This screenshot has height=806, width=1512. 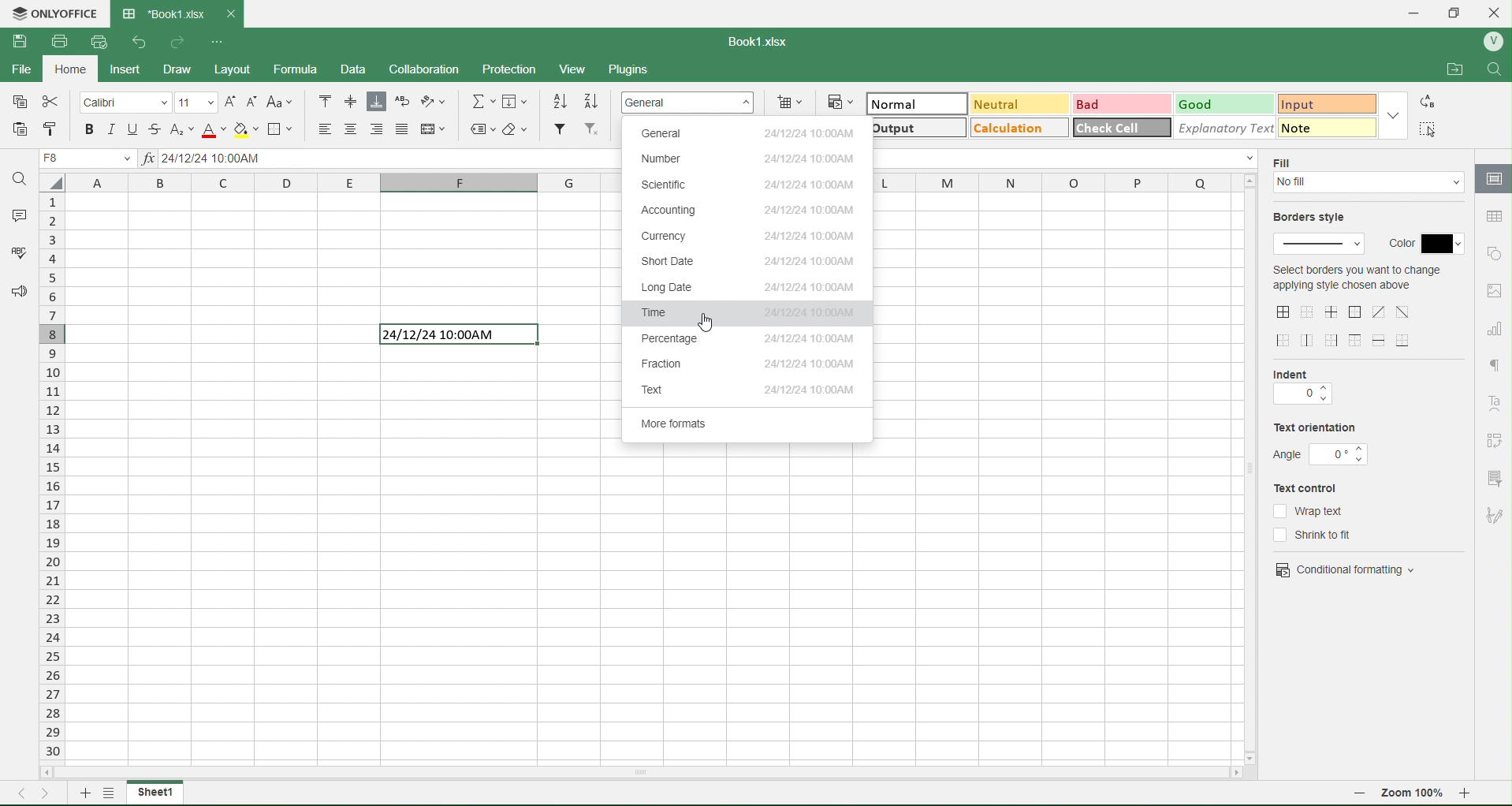 I want to click on Conditional Formating, so click(x=840, y=101).